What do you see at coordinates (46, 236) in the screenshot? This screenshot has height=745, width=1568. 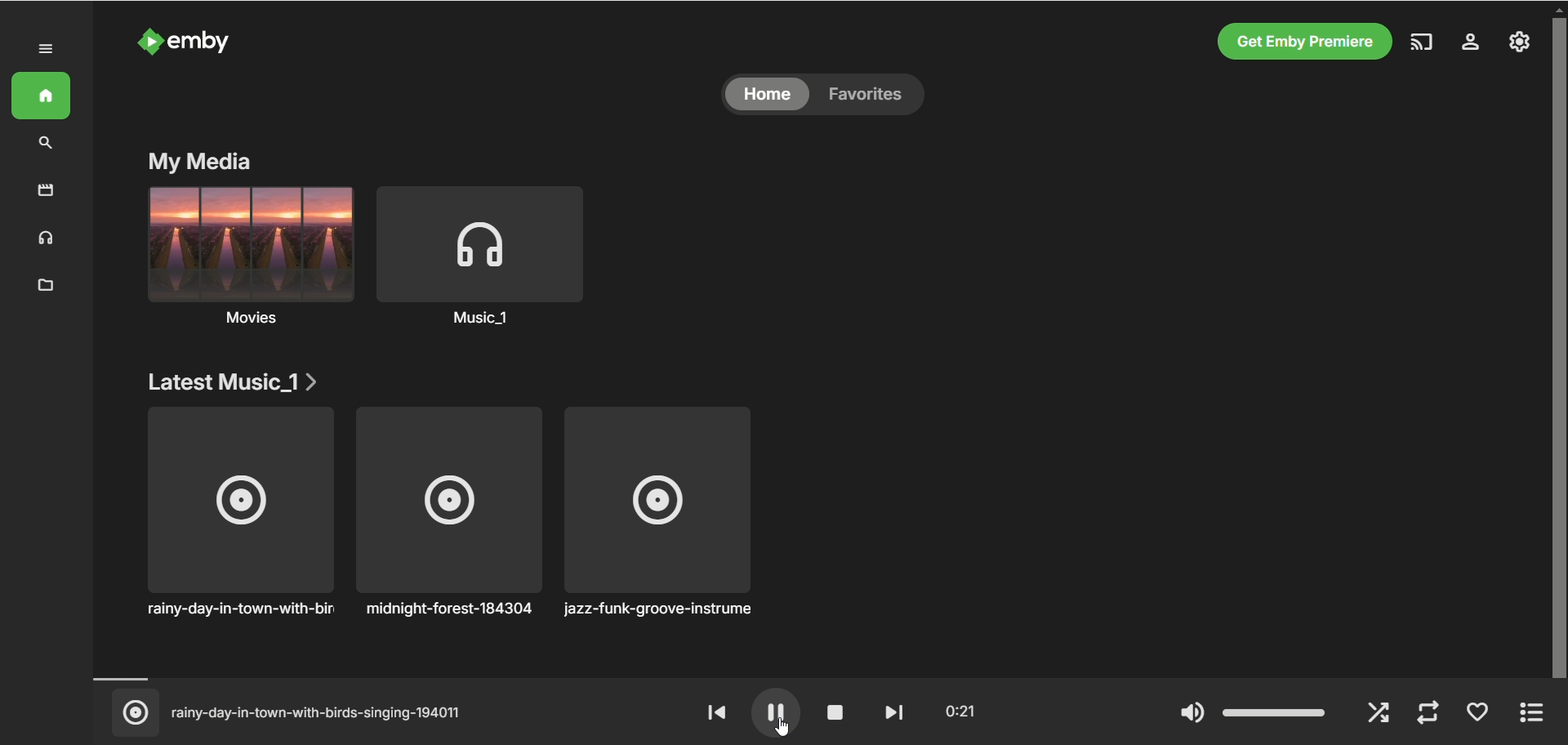 I see `music` at bounding box center [46, 236].